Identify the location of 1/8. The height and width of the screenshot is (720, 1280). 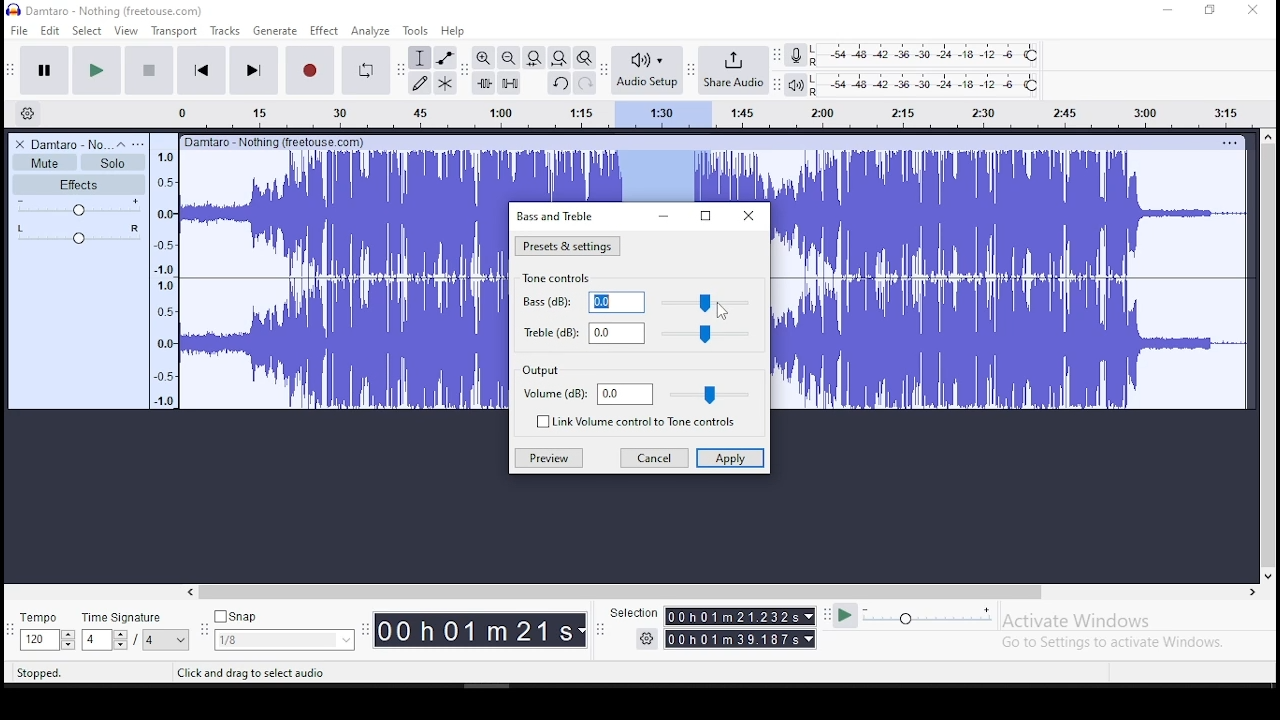
(269, 640).